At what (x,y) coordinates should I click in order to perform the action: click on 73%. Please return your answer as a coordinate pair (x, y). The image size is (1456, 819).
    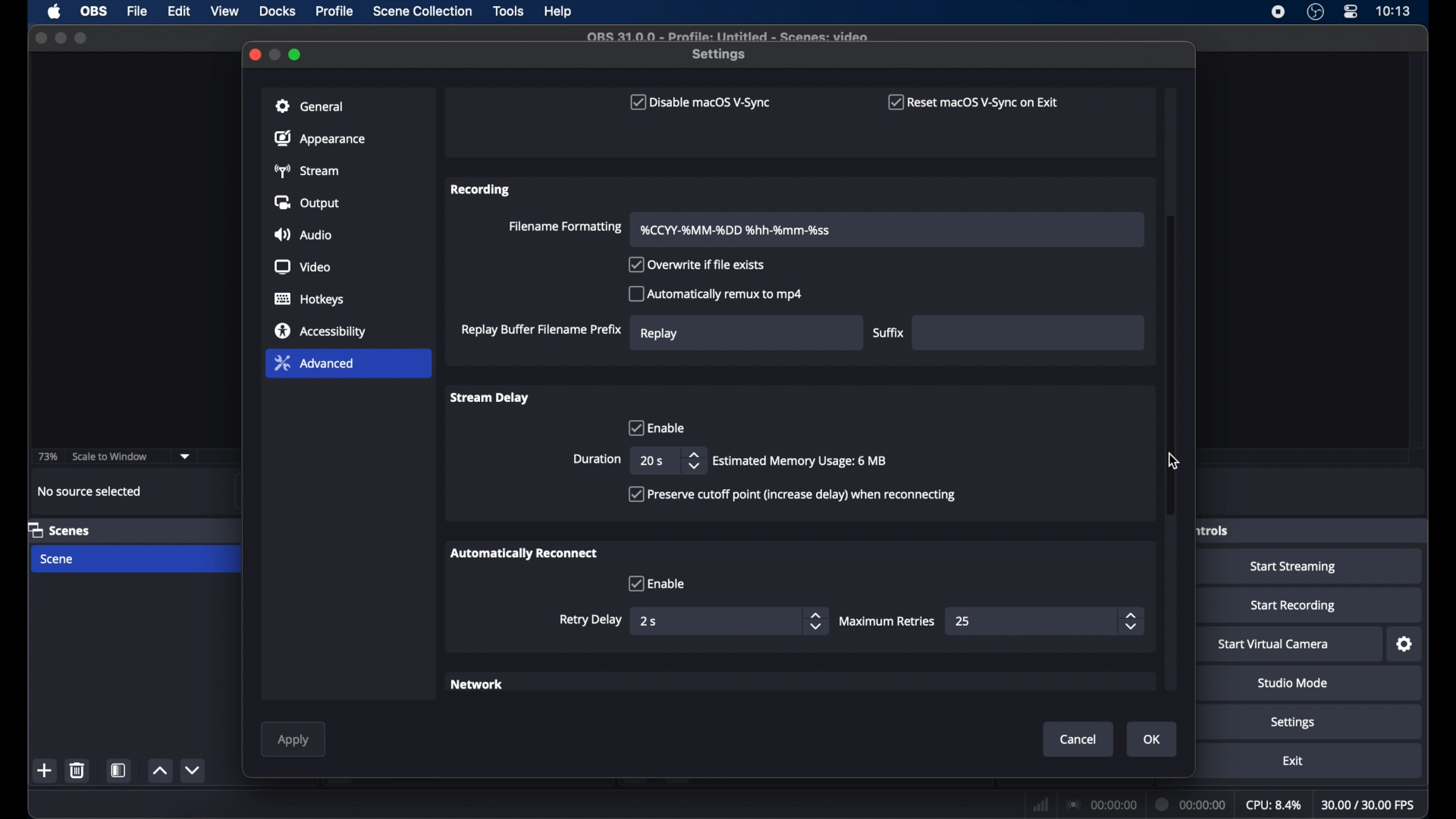
    Looking at the image, I should click on (49, 457).